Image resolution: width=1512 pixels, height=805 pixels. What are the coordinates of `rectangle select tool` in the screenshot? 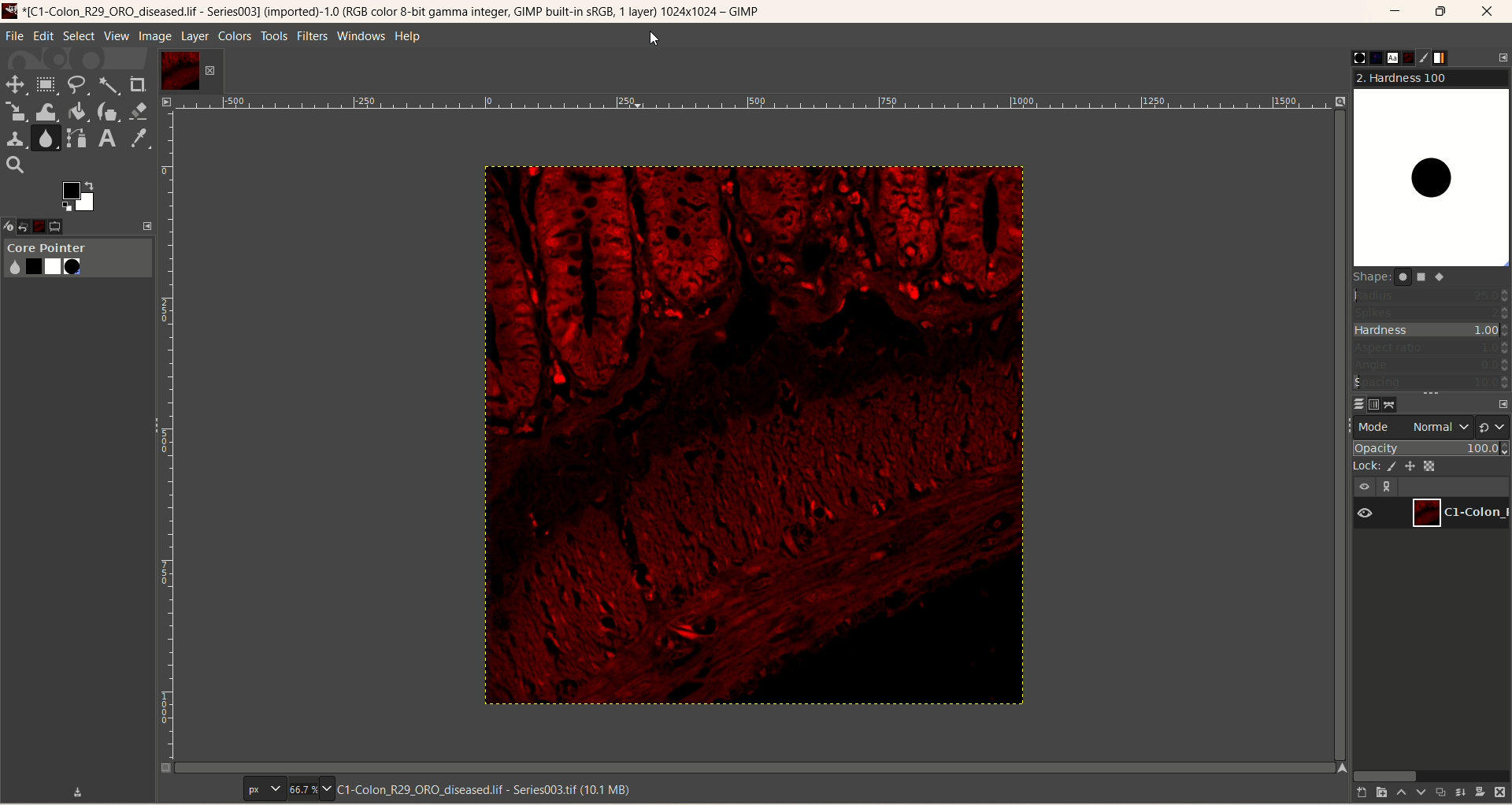 It's located at (46, 83).